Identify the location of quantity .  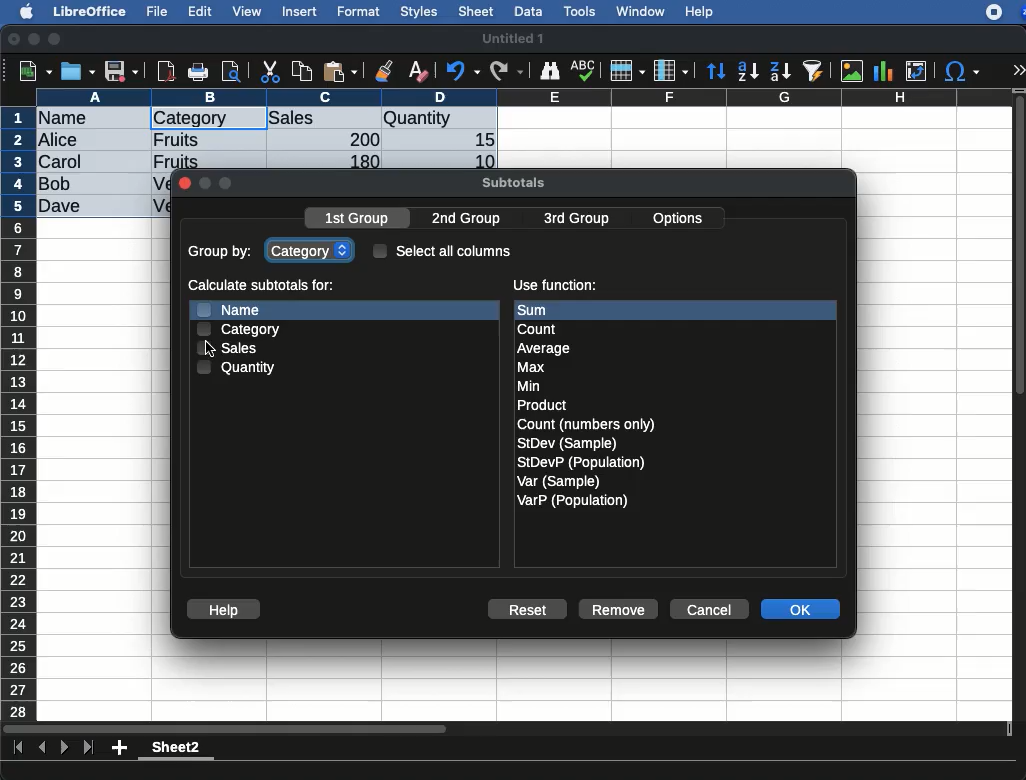
(238, 367).